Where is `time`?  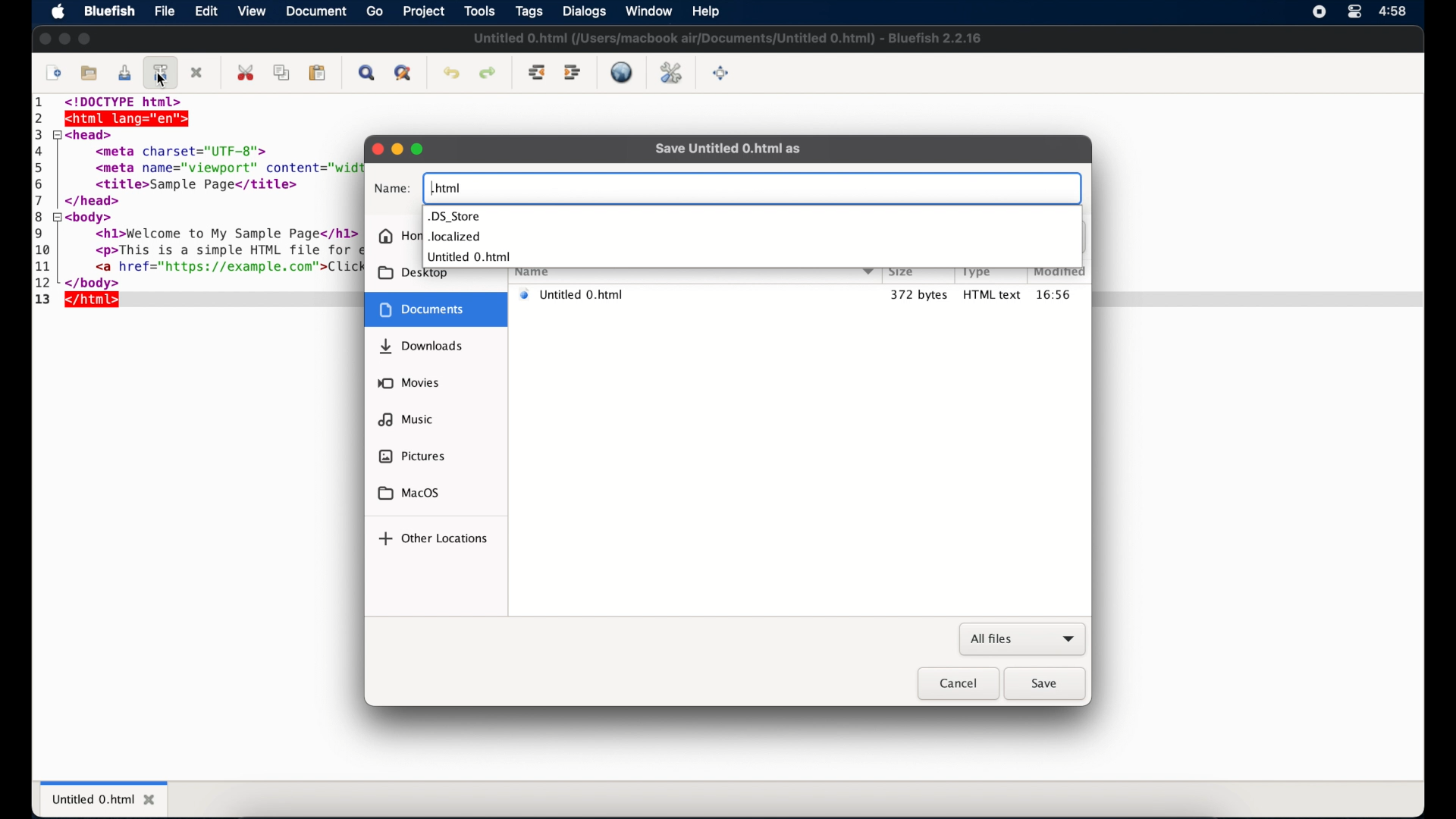
time is located at coordinates (1394, 11).